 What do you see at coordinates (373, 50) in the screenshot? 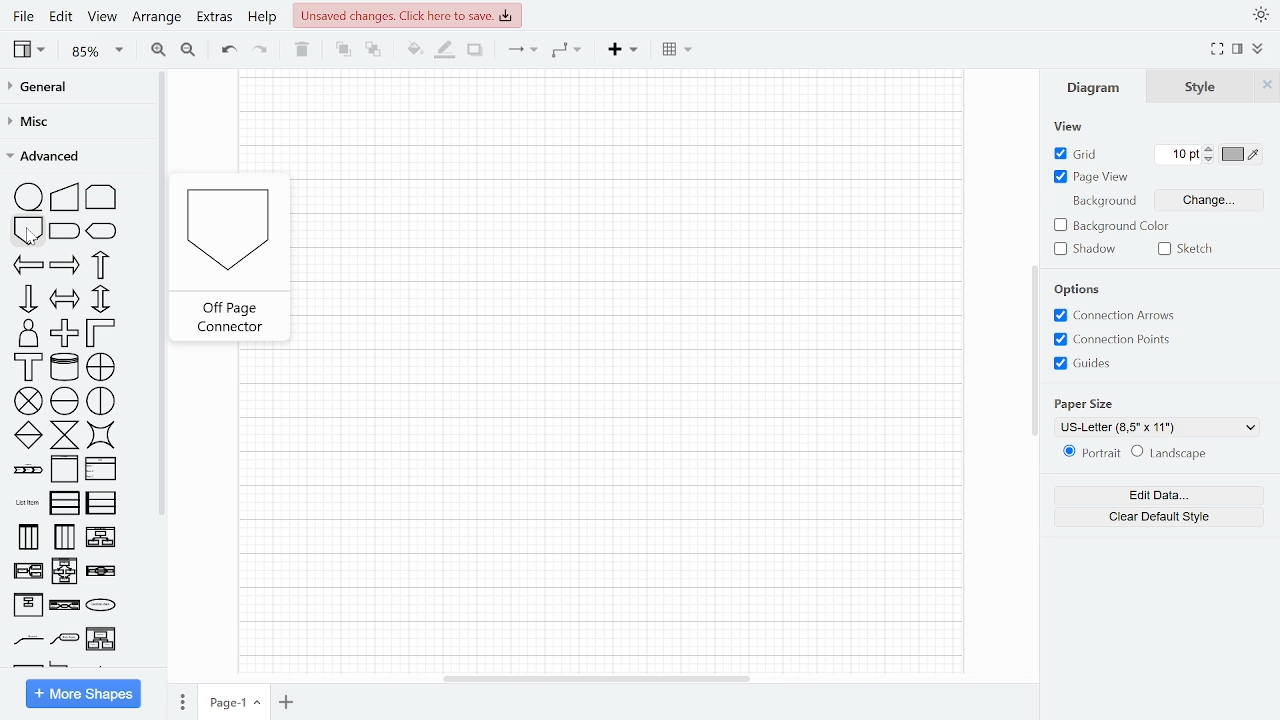
I see `TO back` at bounding box center [373, 50].